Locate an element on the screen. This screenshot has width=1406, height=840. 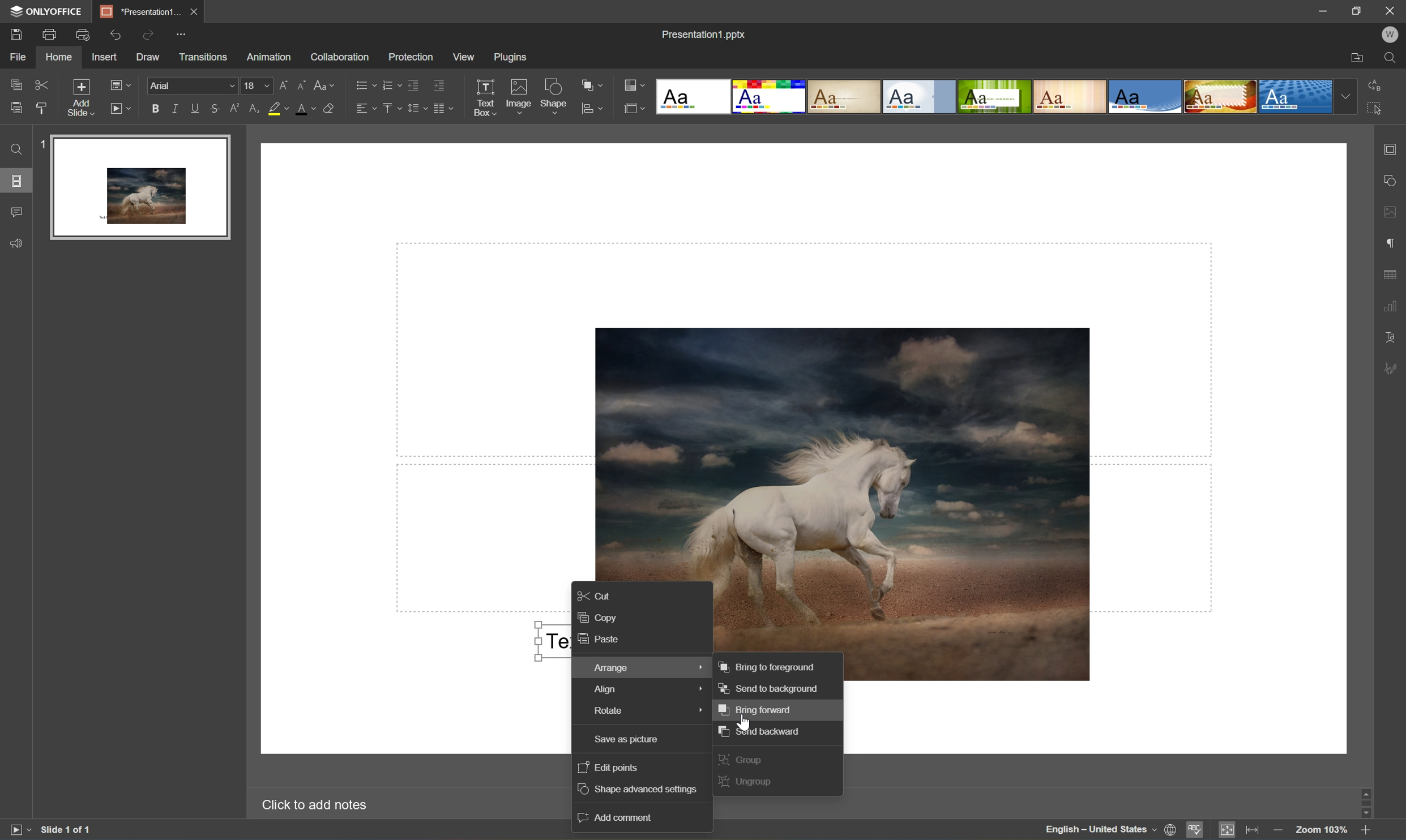
Underline is located at coordinates (194, 109).